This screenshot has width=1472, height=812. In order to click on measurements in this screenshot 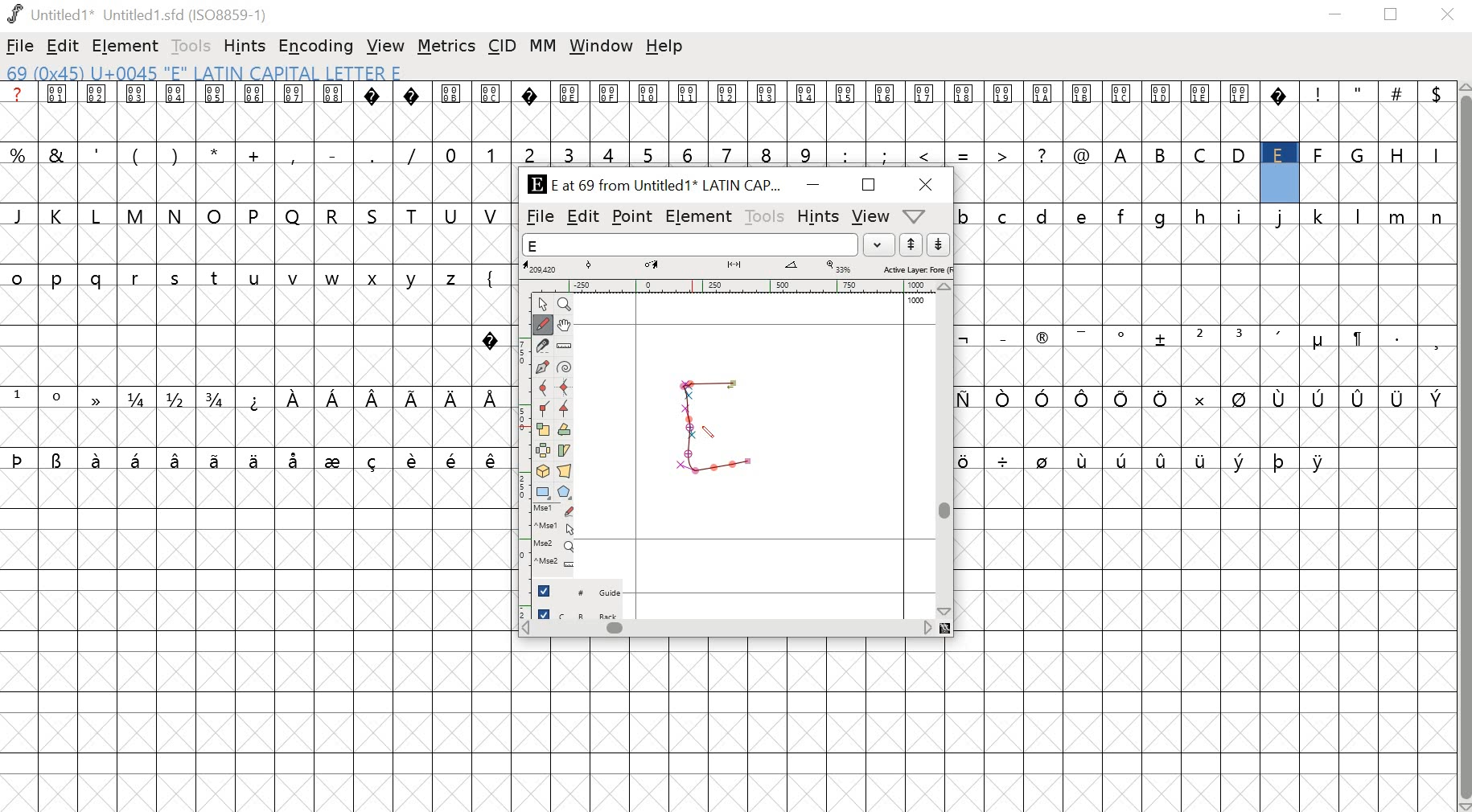, I will do `click(737, 268)`.